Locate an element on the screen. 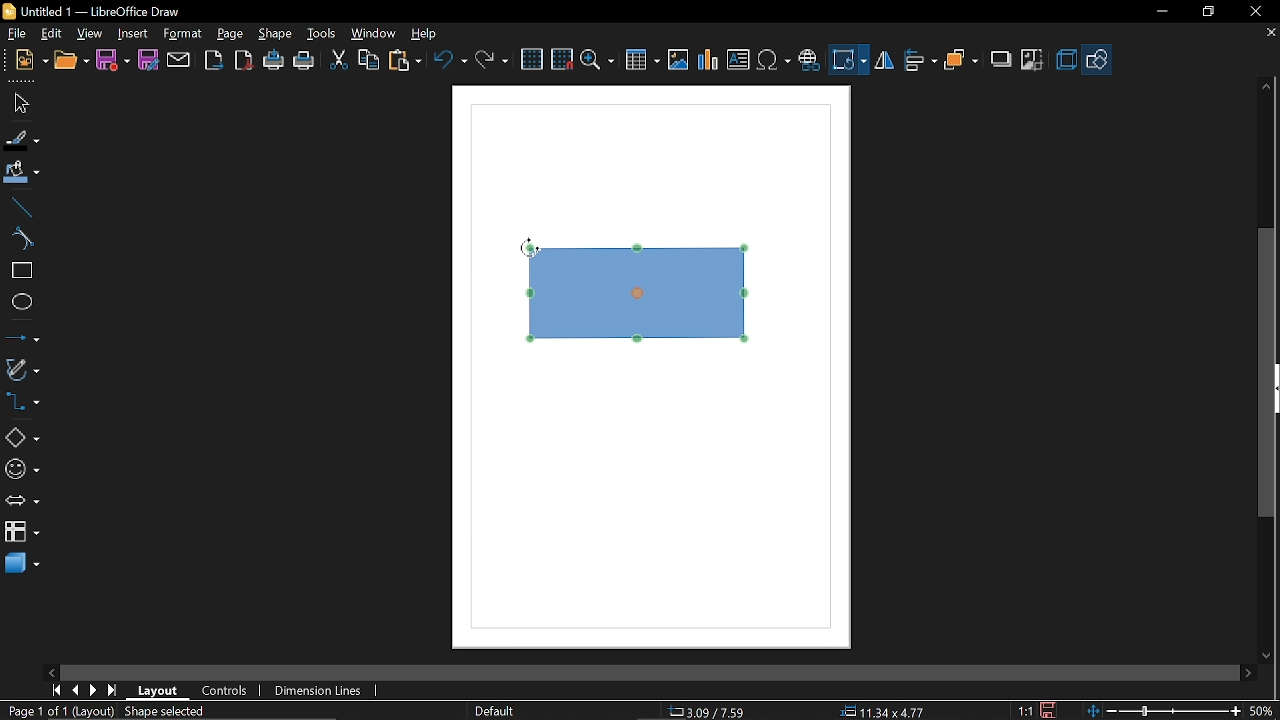 The height and width of the screenshot is (720, 1280). Insert table is located at coordinates (643, 61).